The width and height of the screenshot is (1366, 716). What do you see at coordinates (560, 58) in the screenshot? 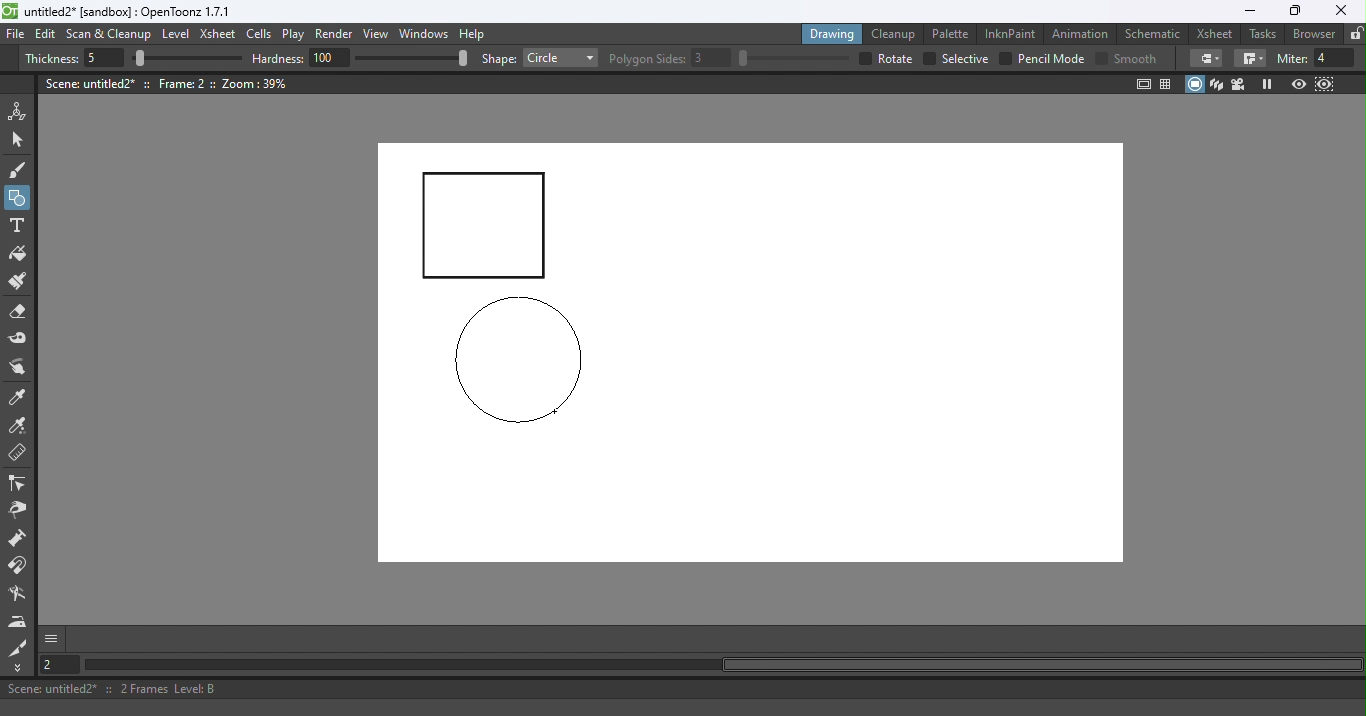
I see `Rectangle ` at bounding box center [560, 58].